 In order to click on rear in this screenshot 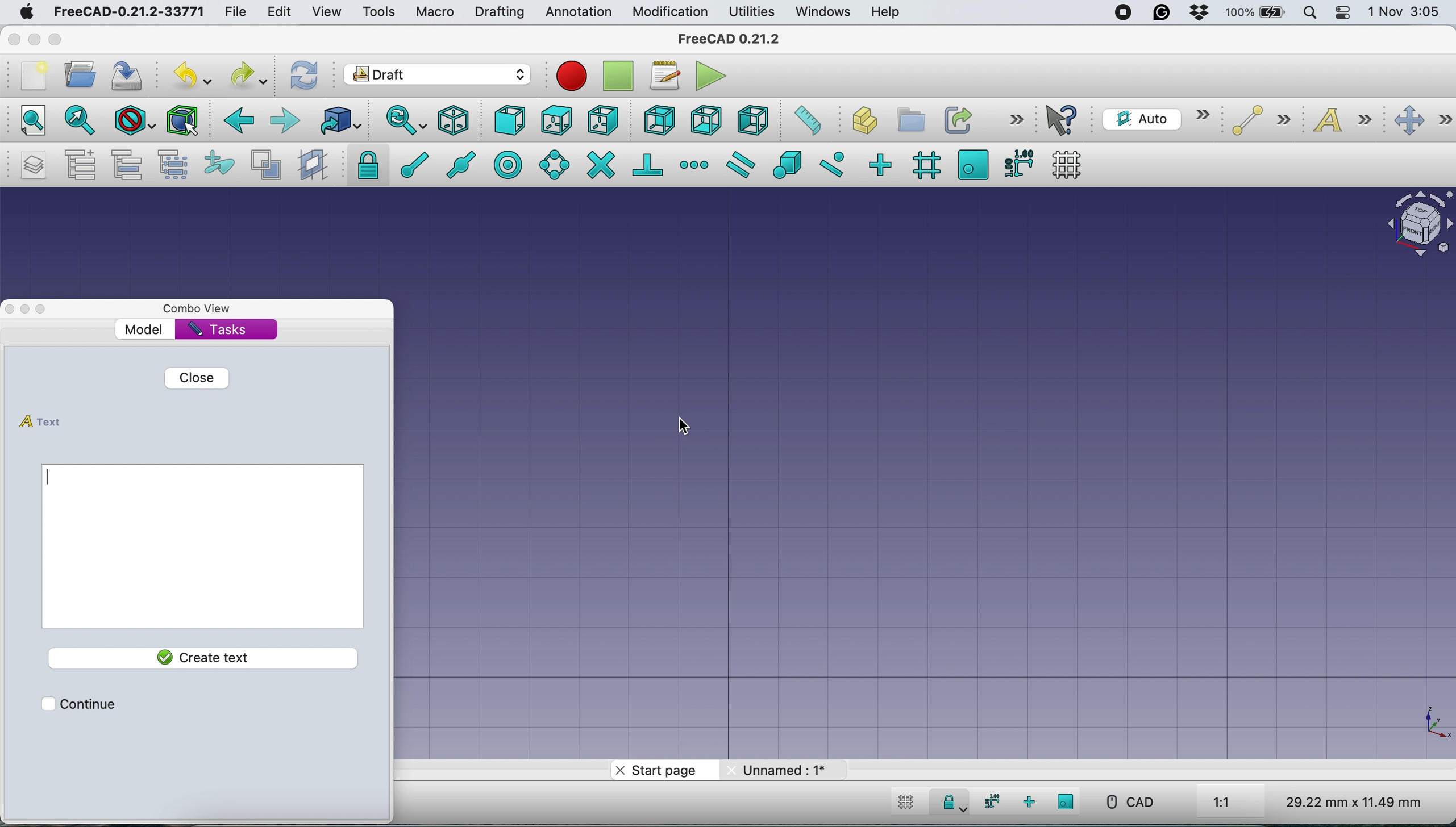, I will do `click(658, 120)`.